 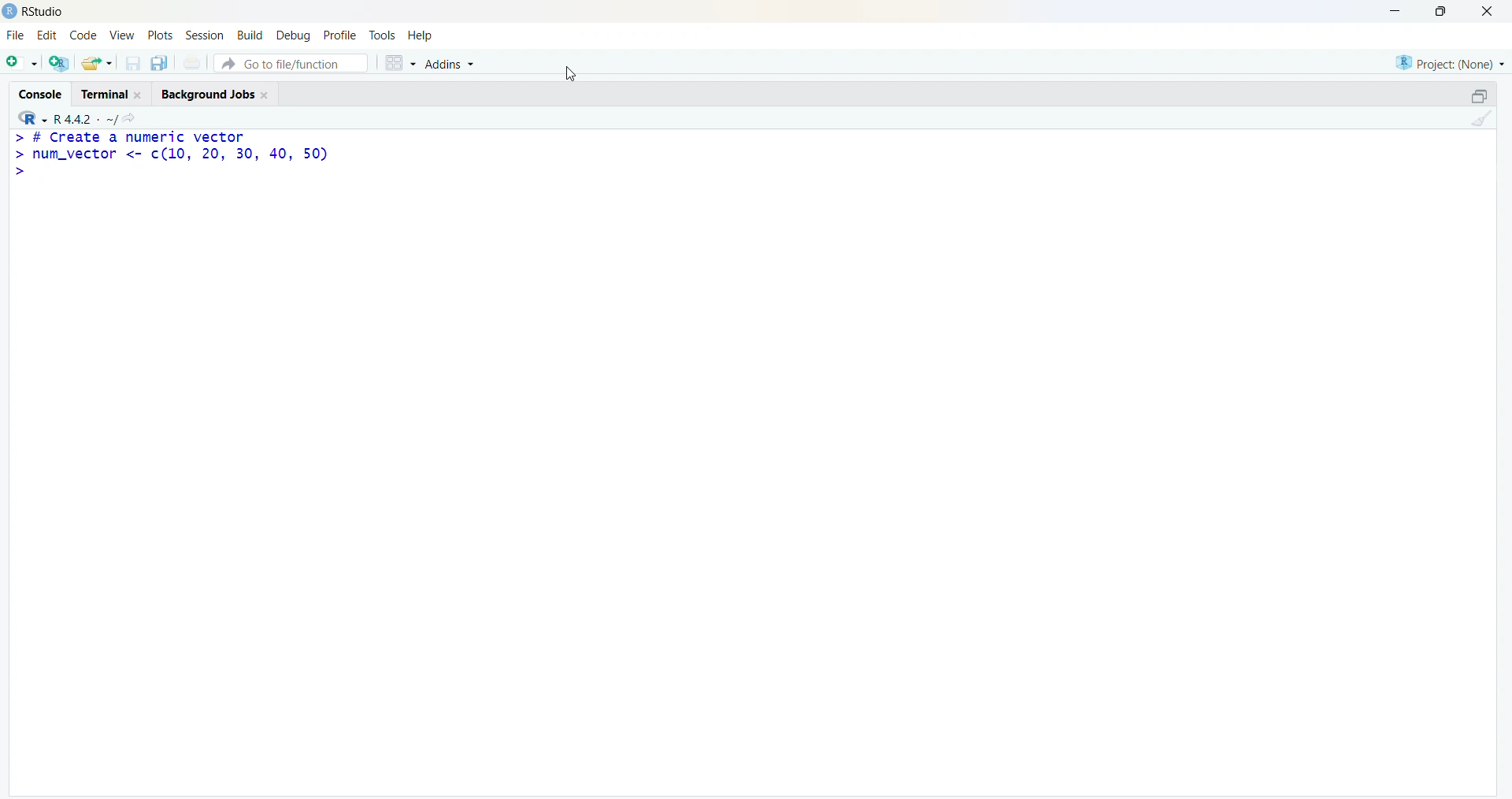 What do you see at coordinates (1488, 11) in the screenshot?
I see `close` at bounding box center [1488, 11].